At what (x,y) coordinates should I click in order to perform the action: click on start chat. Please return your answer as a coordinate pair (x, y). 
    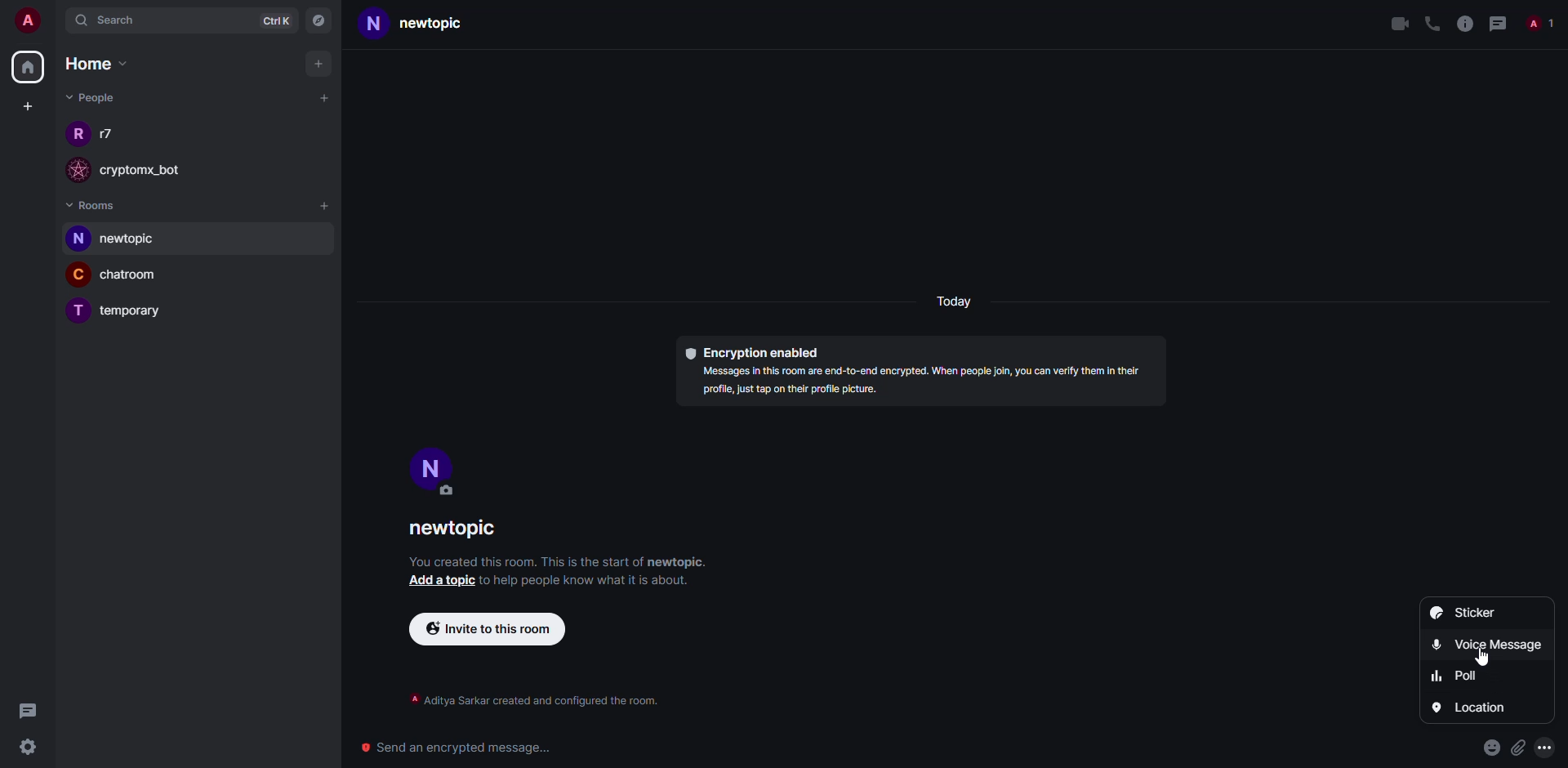
    Looking at the image, I should click on (323, 98).